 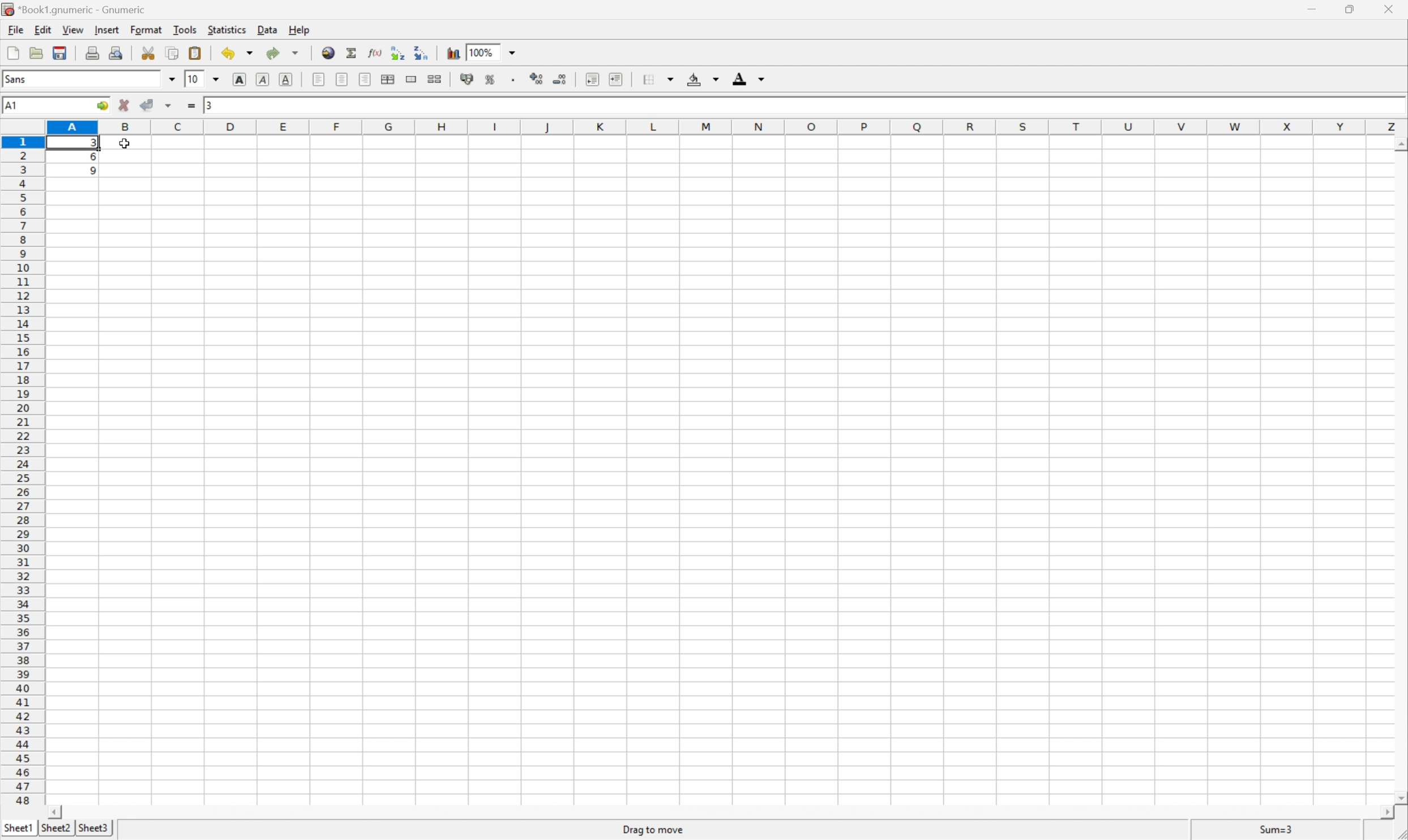 I want to click on Create a new workbook, so click(x=12, y=53).